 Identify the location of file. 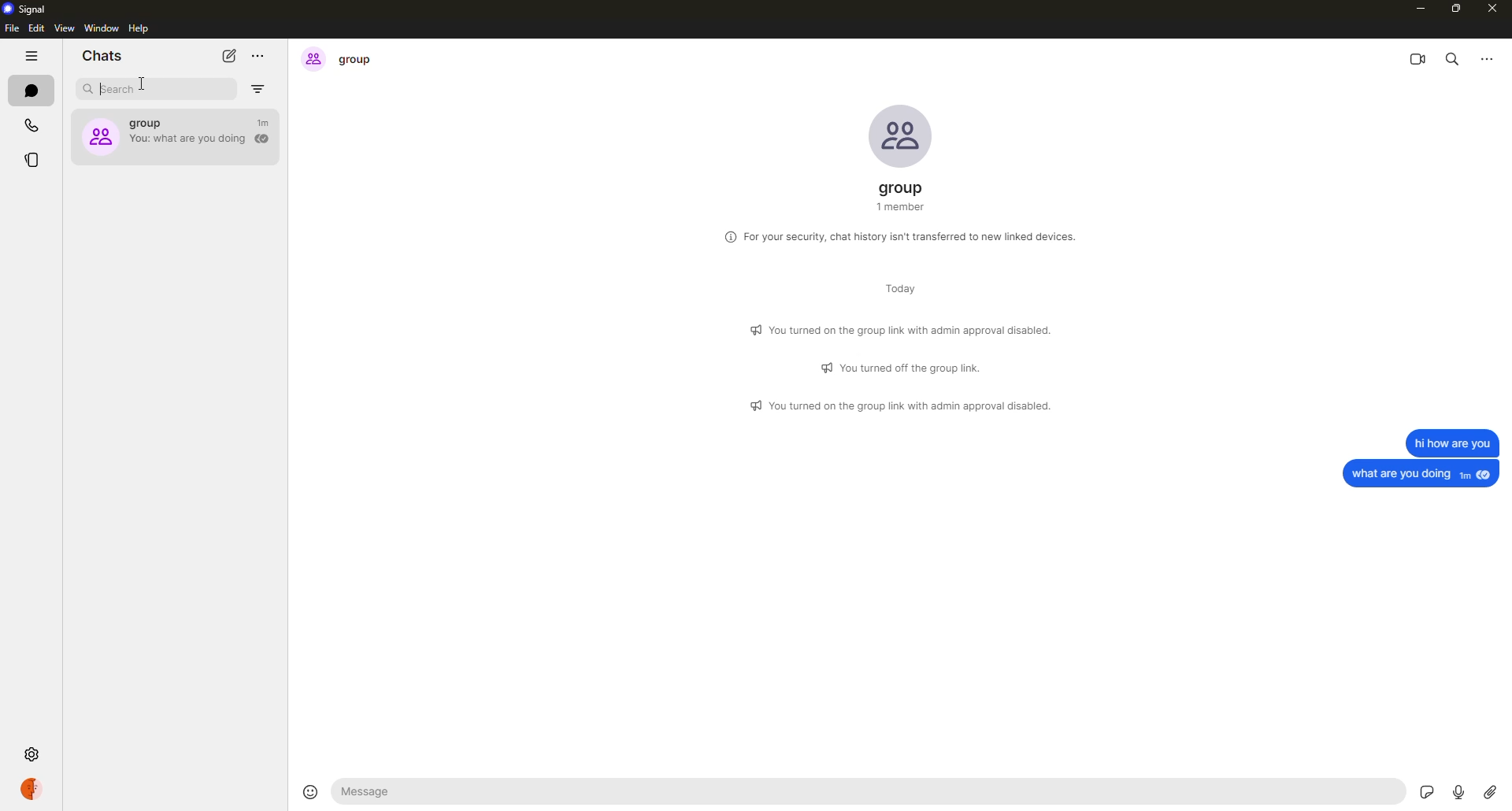
(11, 30).